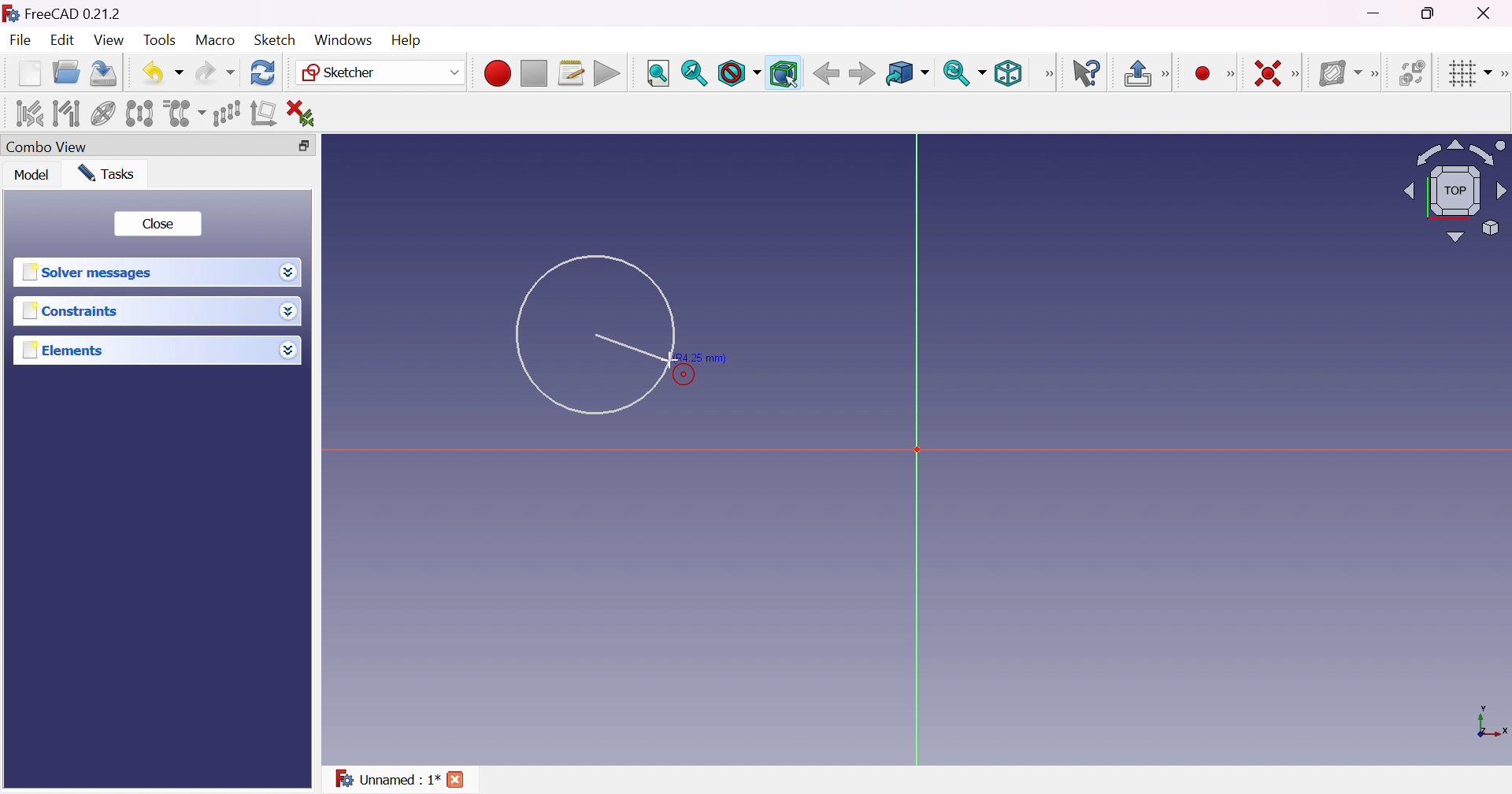 This screenshot has width=1512, height=794. What do you see at coordinates (302, 146) in the screenshot?
I see `Restore down` at bounding box center [302, 146].